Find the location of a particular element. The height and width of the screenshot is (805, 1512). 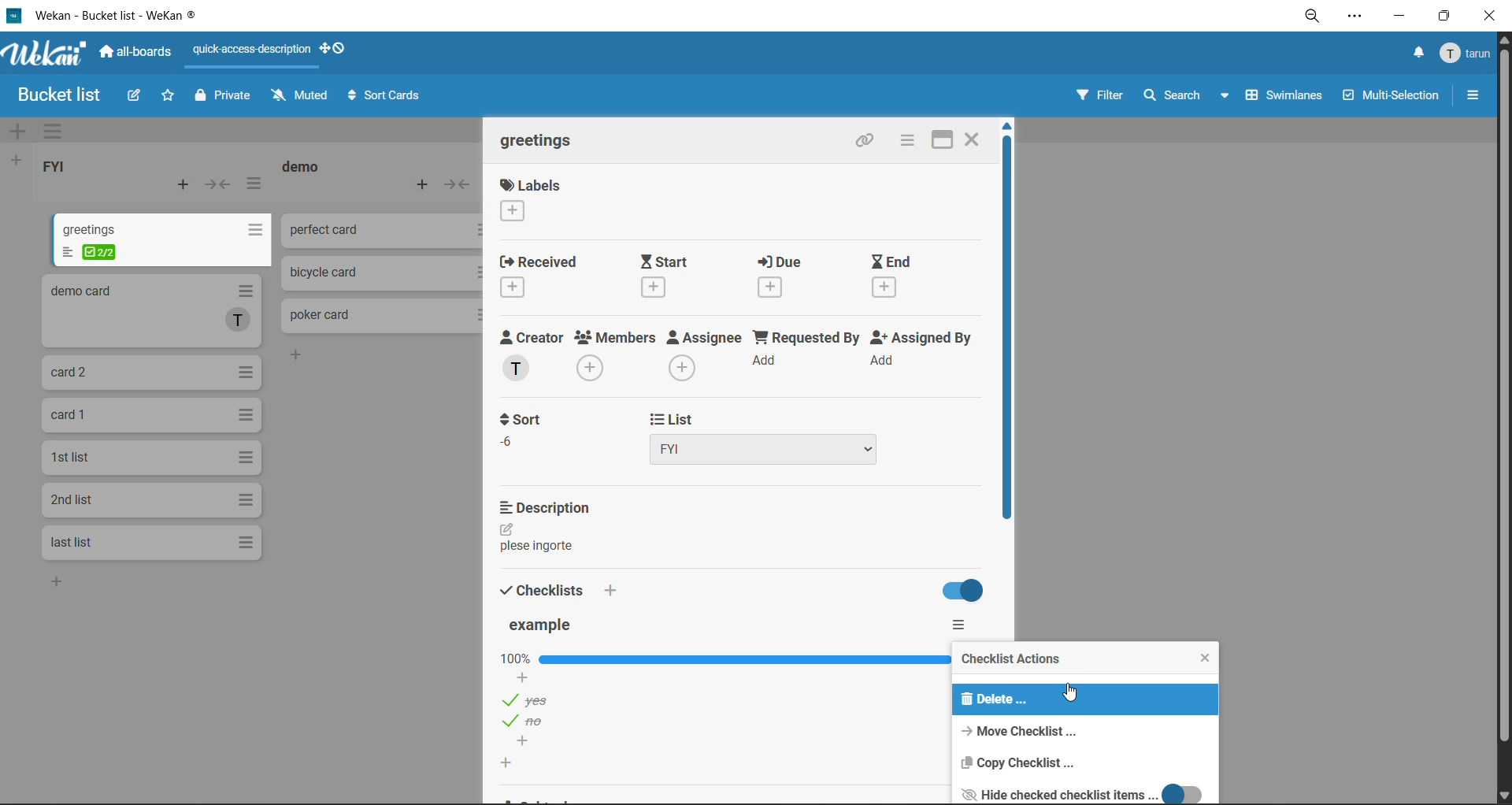

copy checklist is located at coordinates (1015, 761).